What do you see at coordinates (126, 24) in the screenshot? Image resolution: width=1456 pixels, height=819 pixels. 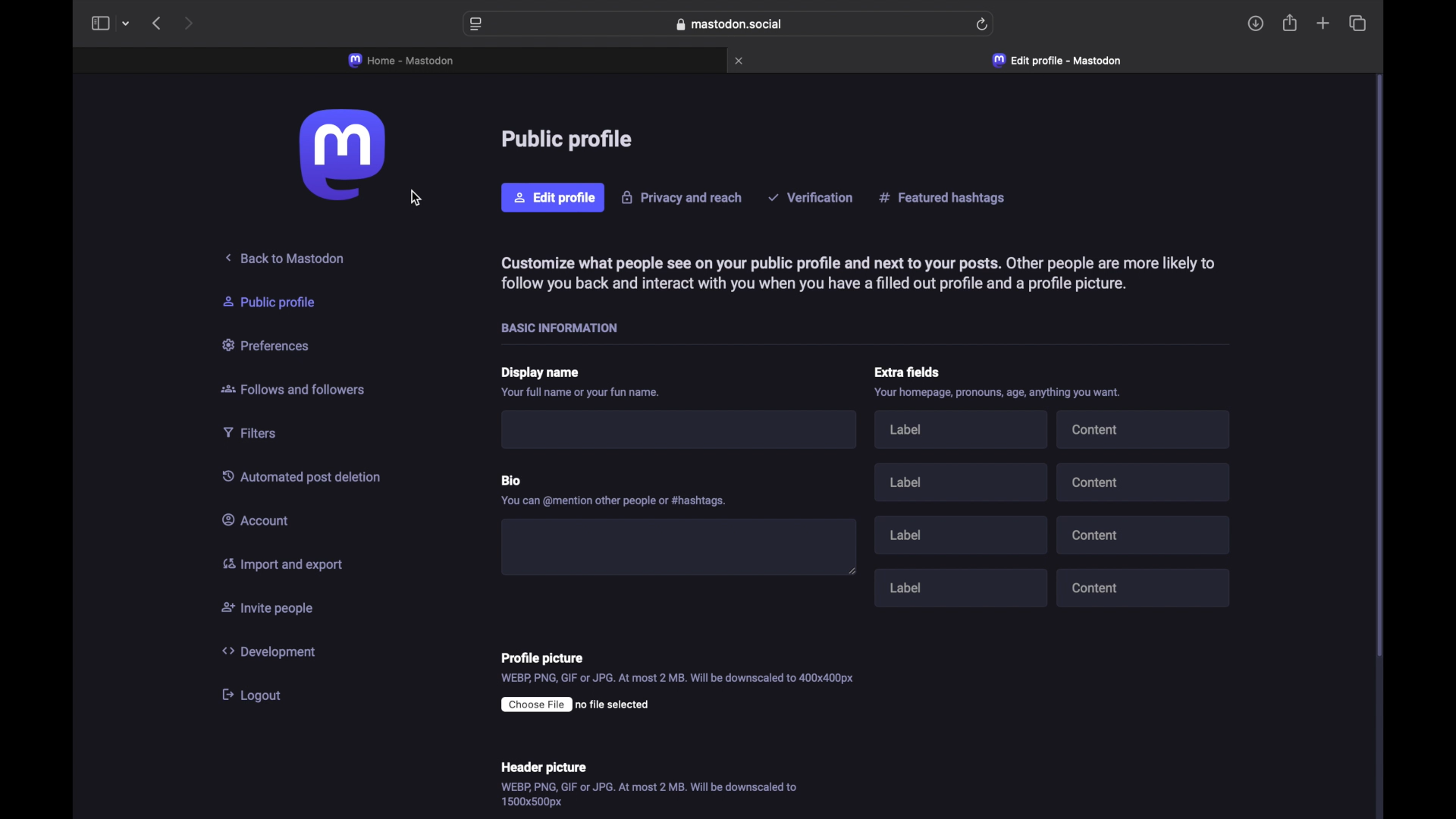 I see `tab group picker` at bounding box center [126, 24].